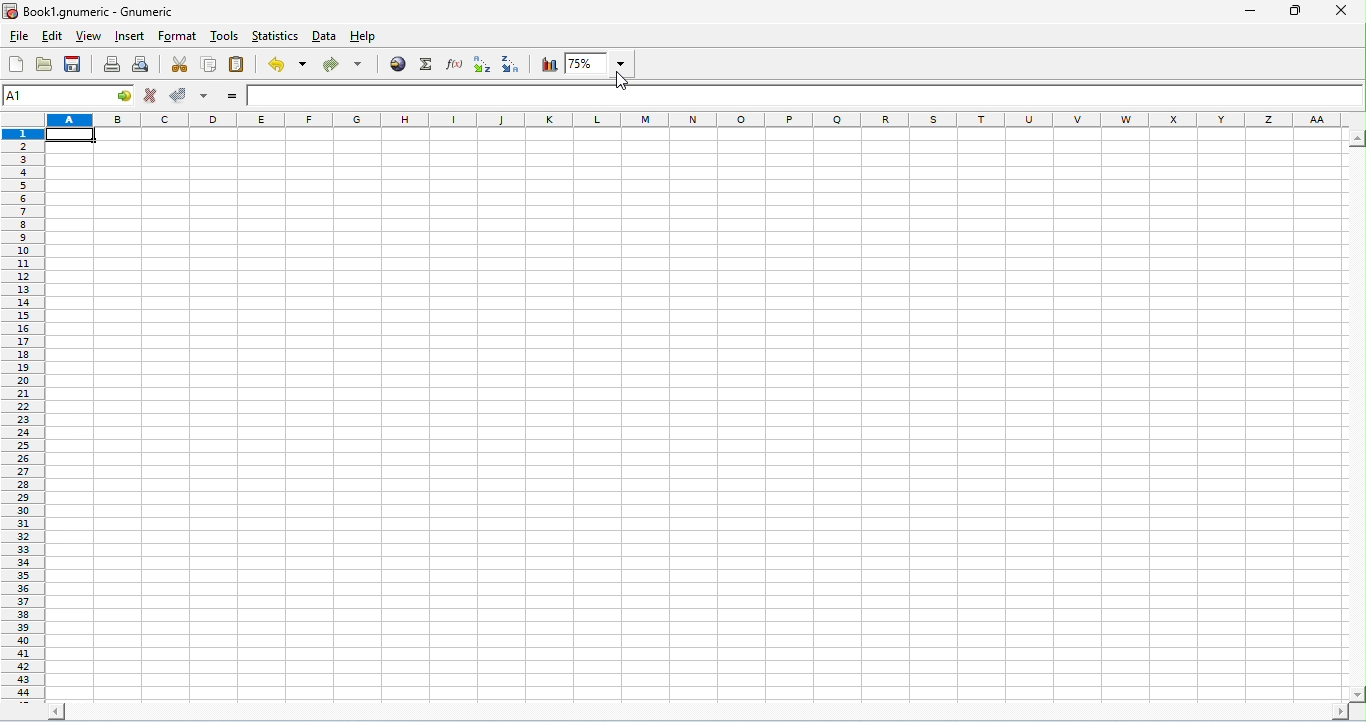 This screenshot has width=1366, height=722. I want to click on tools, so click(224, 35).